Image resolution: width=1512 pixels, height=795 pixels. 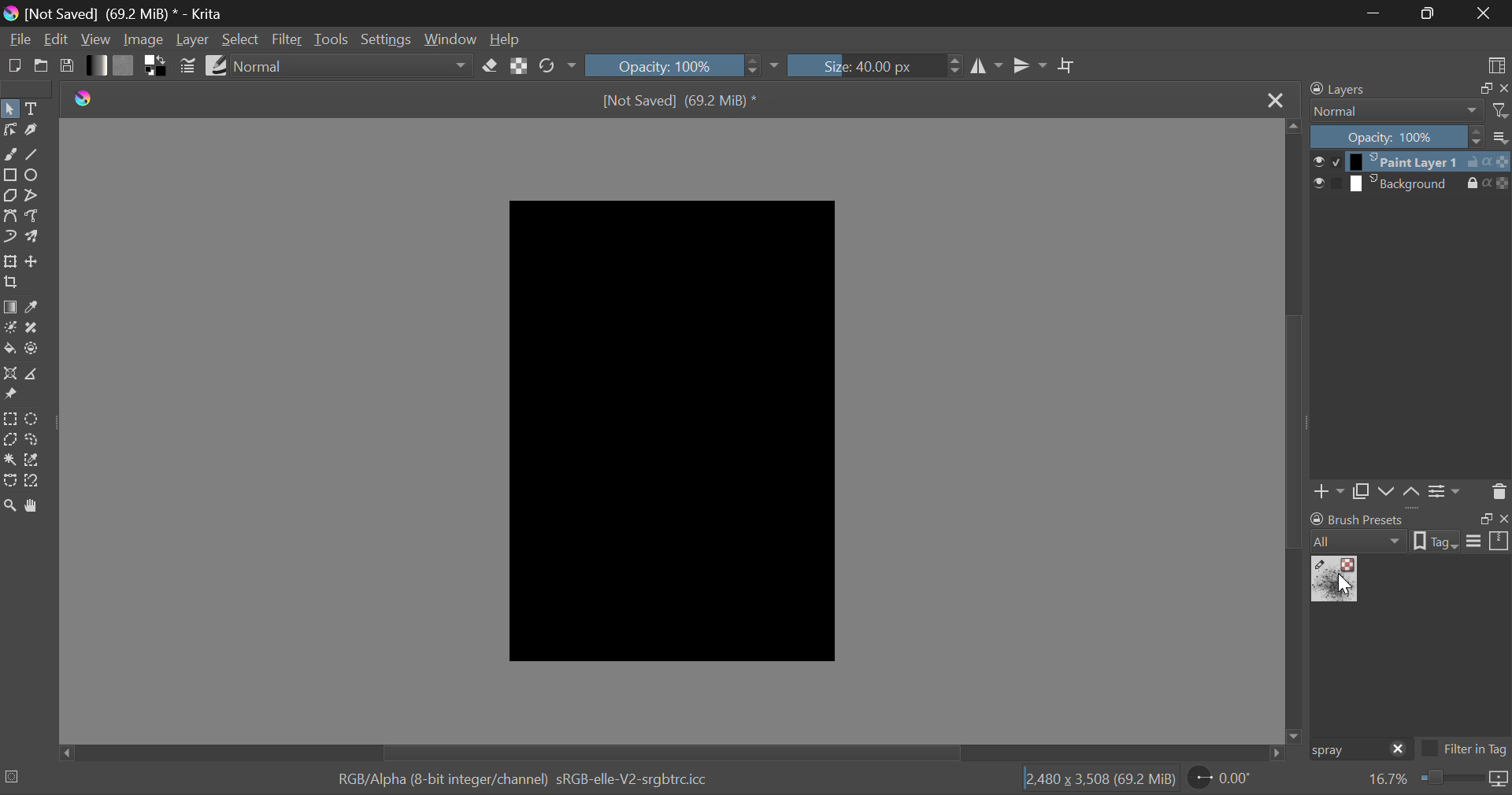 What do you see at coordinates (1488, 162) in the screenshot?
I see `actions` at bounding box center [1488, 162].